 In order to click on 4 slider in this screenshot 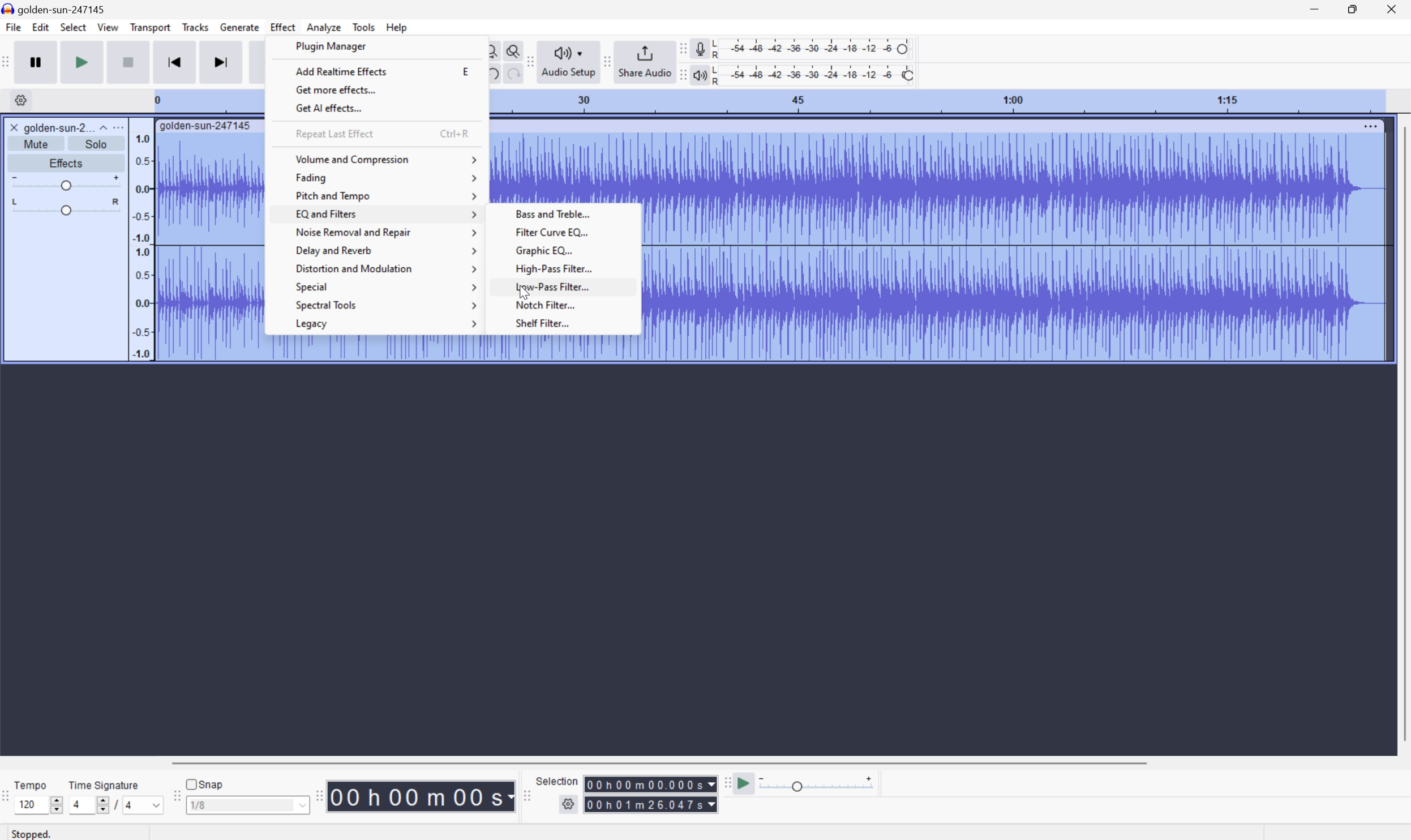, I will do `click(87, 804)`.